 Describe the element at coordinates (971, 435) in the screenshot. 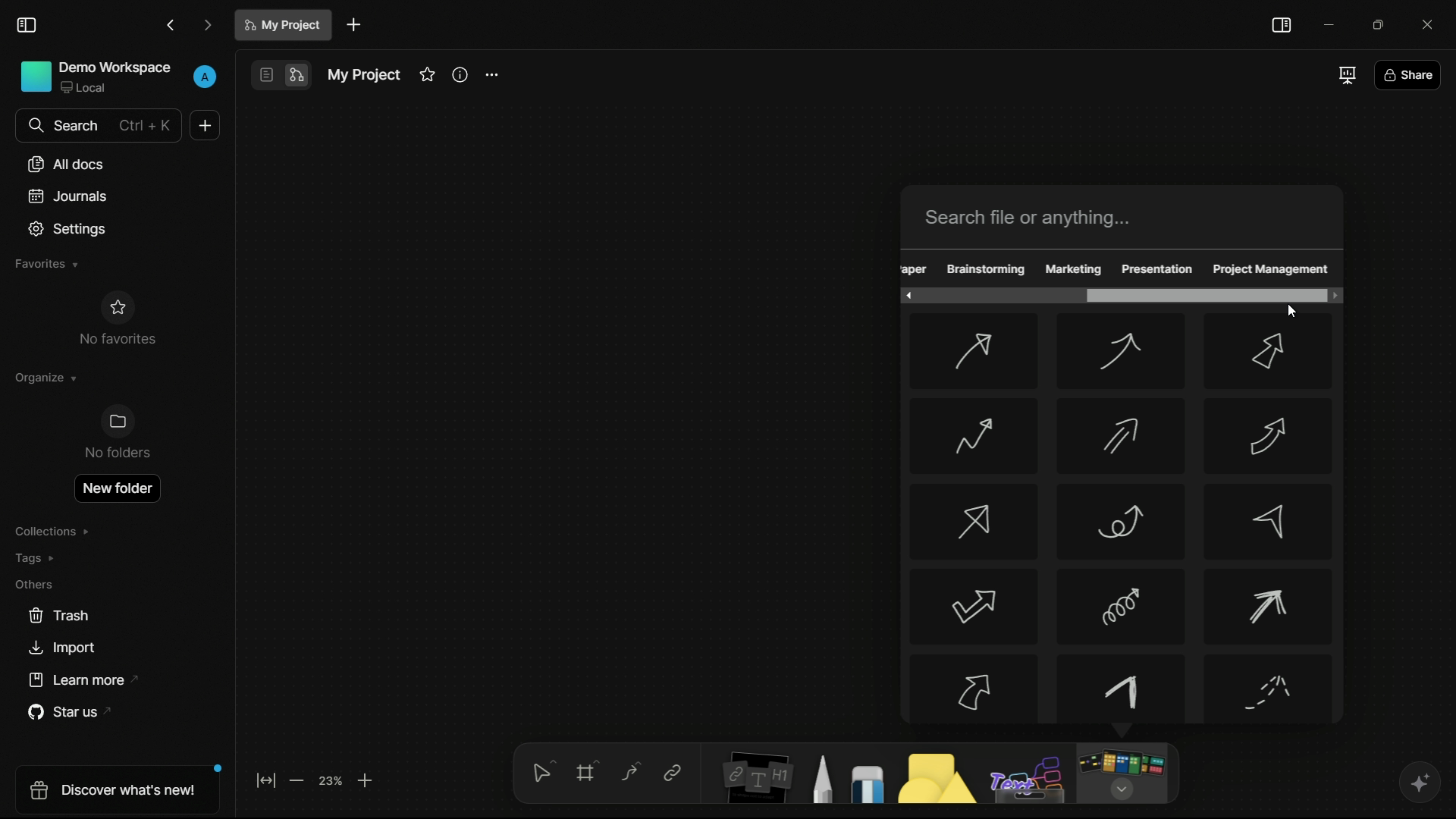

I see `arrow-4` at that location.